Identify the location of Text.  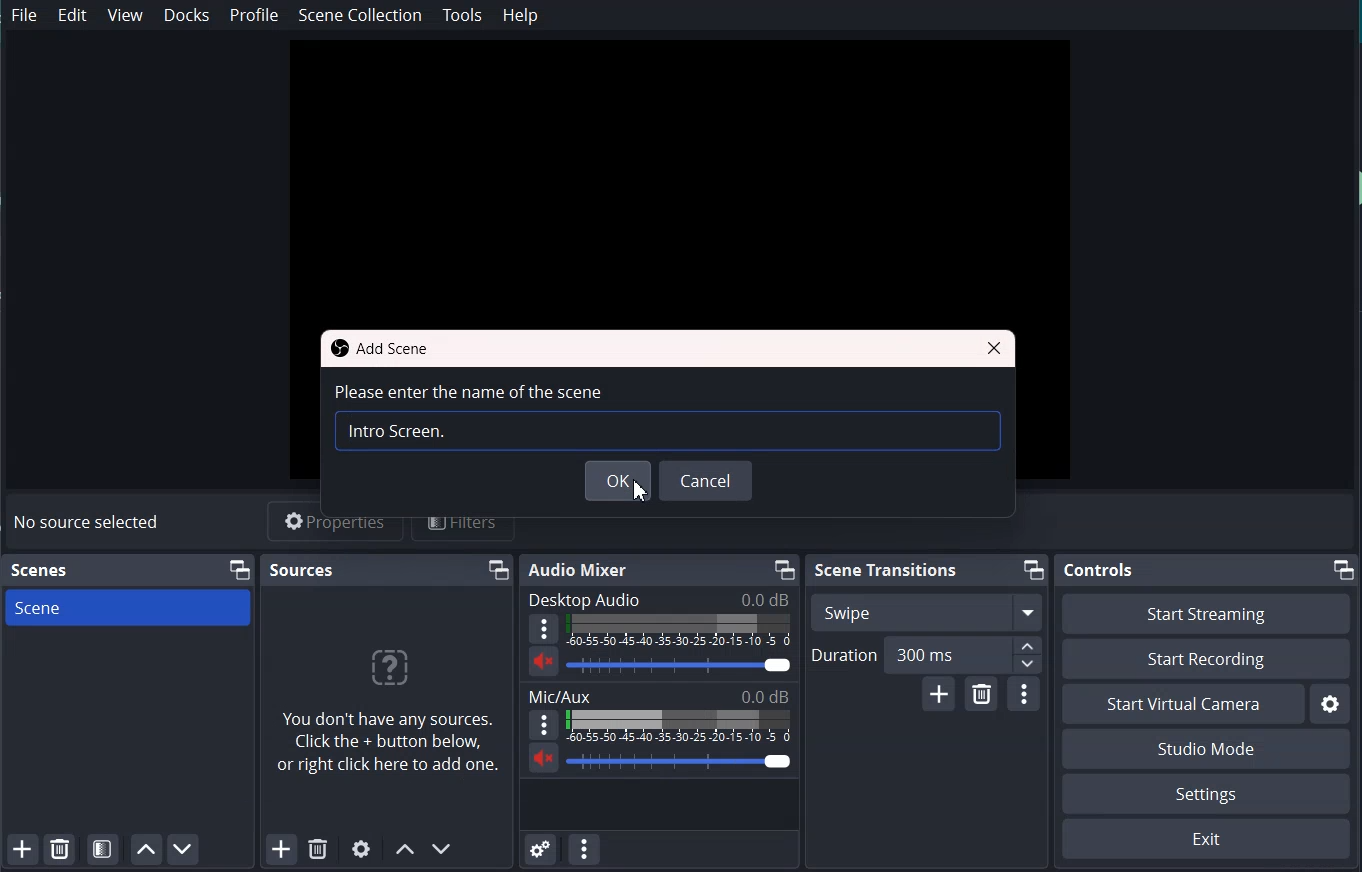
(383, 349).